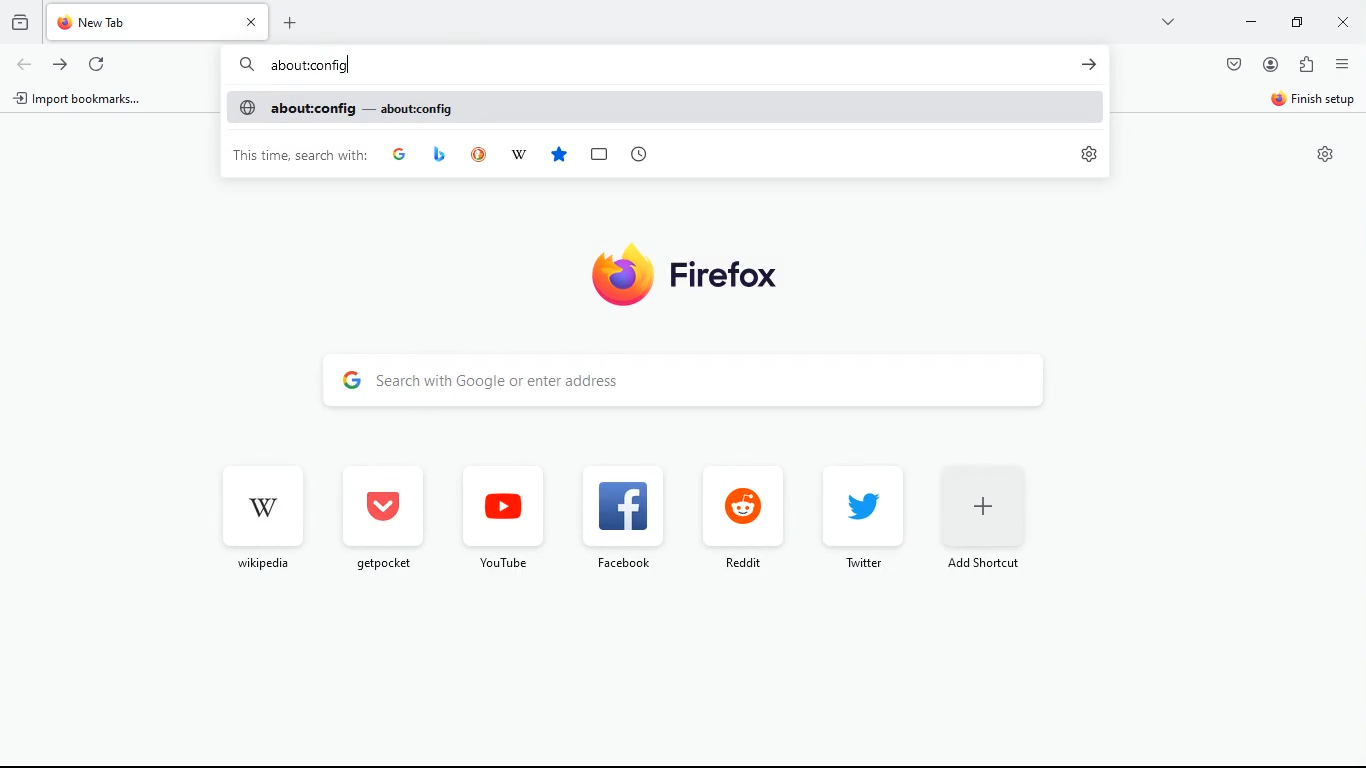  I want to click on extentions, so click(1309, 65).